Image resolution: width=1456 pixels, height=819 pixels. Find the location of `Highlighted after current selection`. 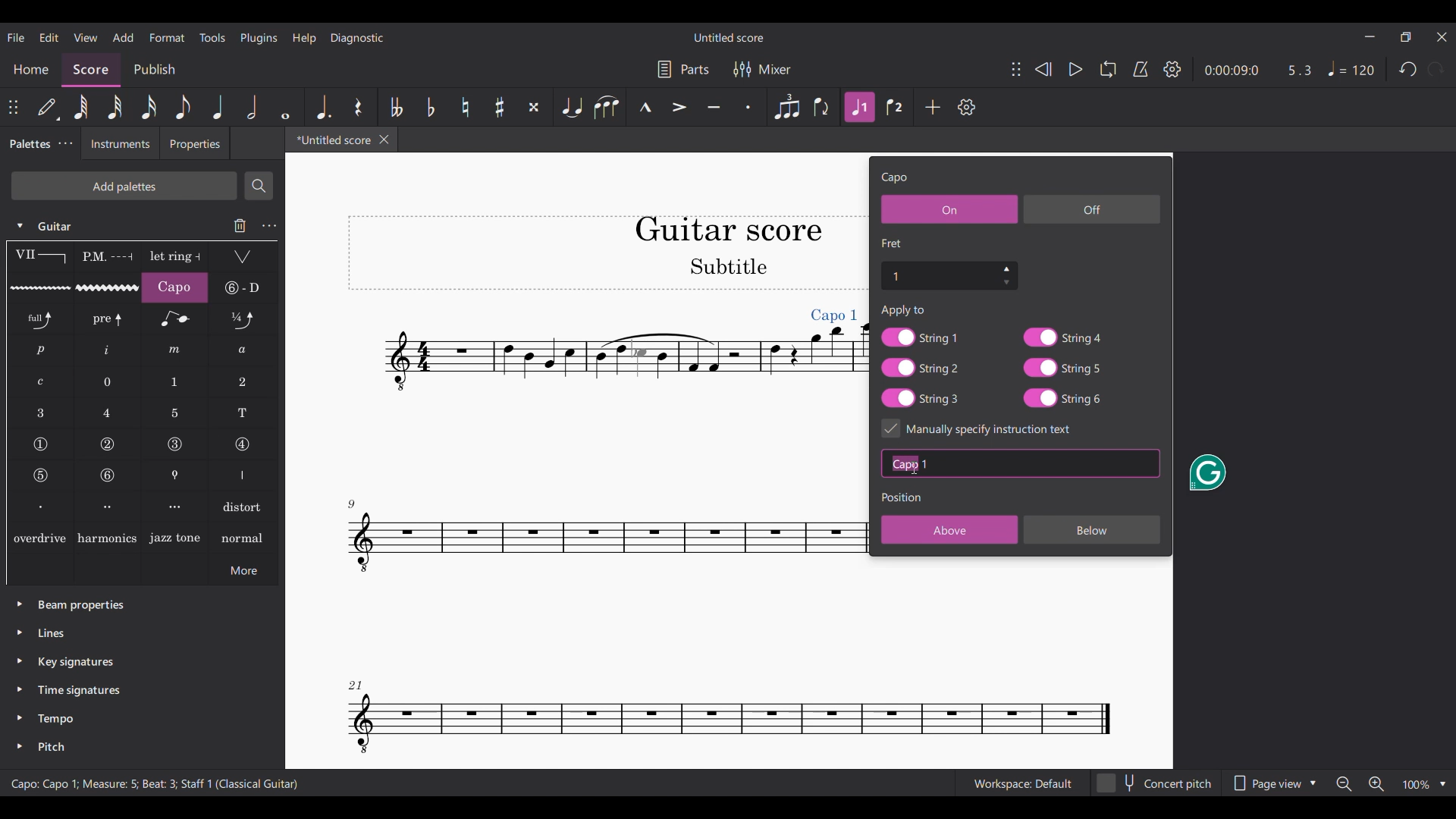

Highlighted after current selection is located at coordinates (861, 108).